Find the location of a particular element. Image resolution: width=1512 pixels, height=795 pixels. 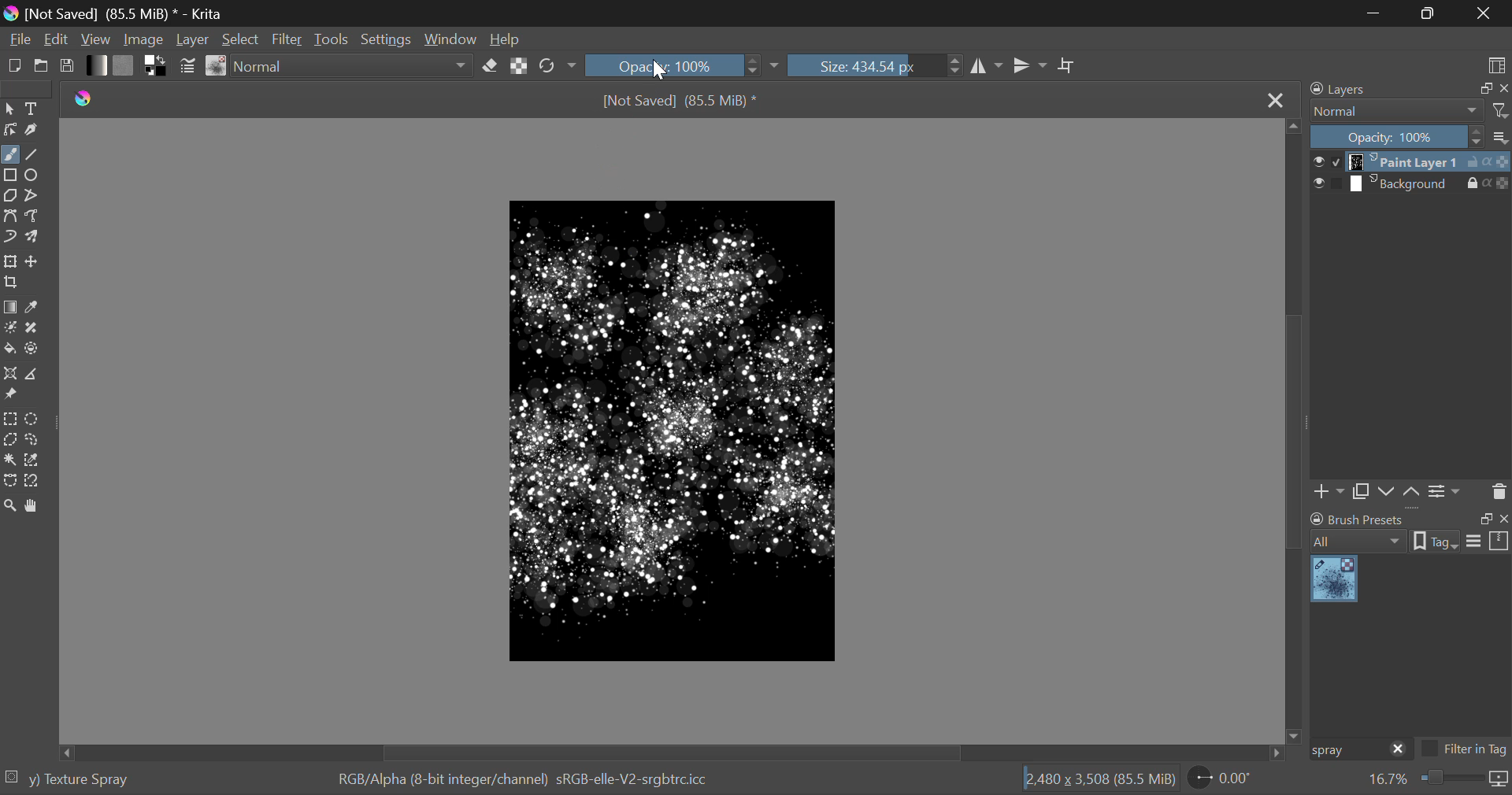

Brush Size is located at coordinates (875, 65).